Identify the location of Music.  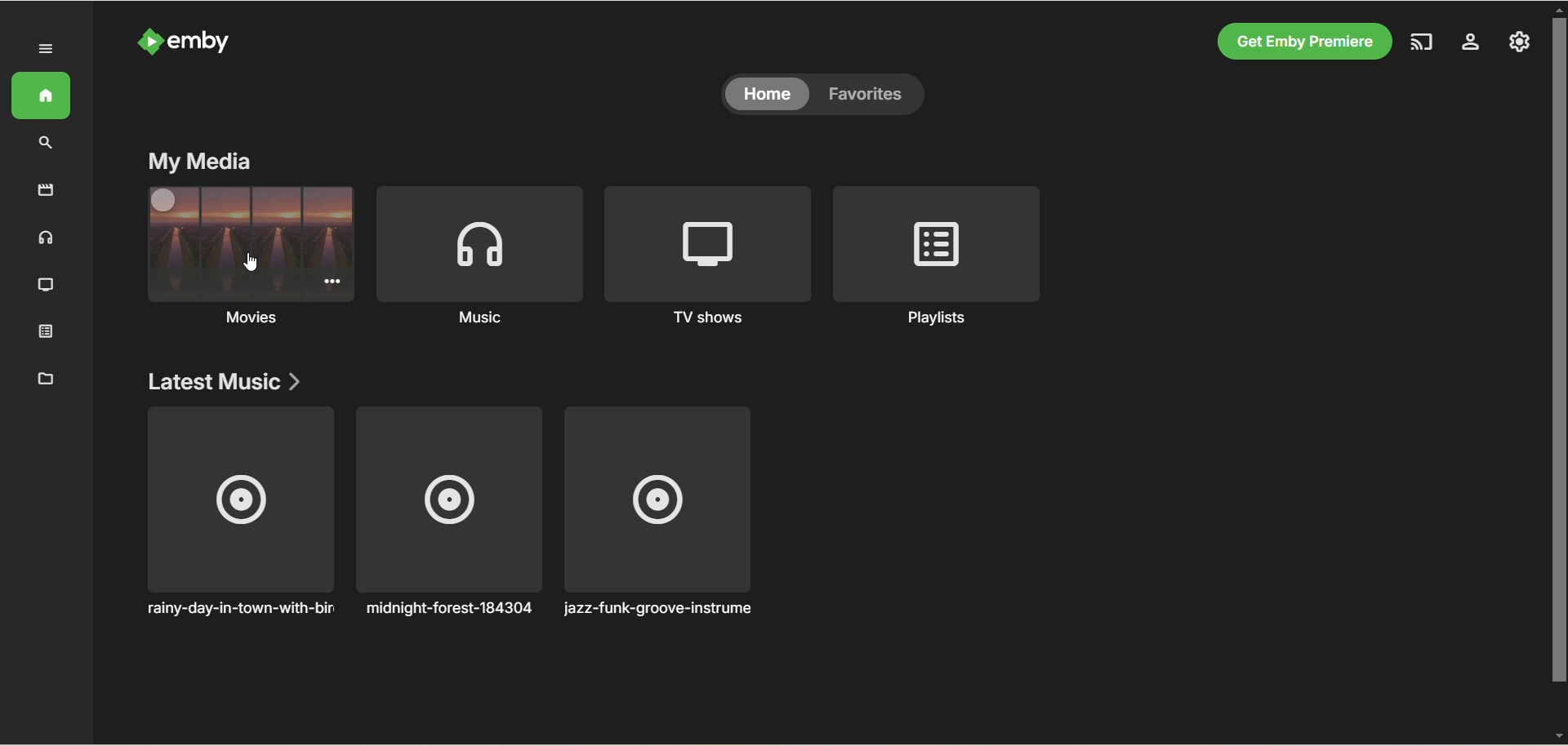
(478, 257).